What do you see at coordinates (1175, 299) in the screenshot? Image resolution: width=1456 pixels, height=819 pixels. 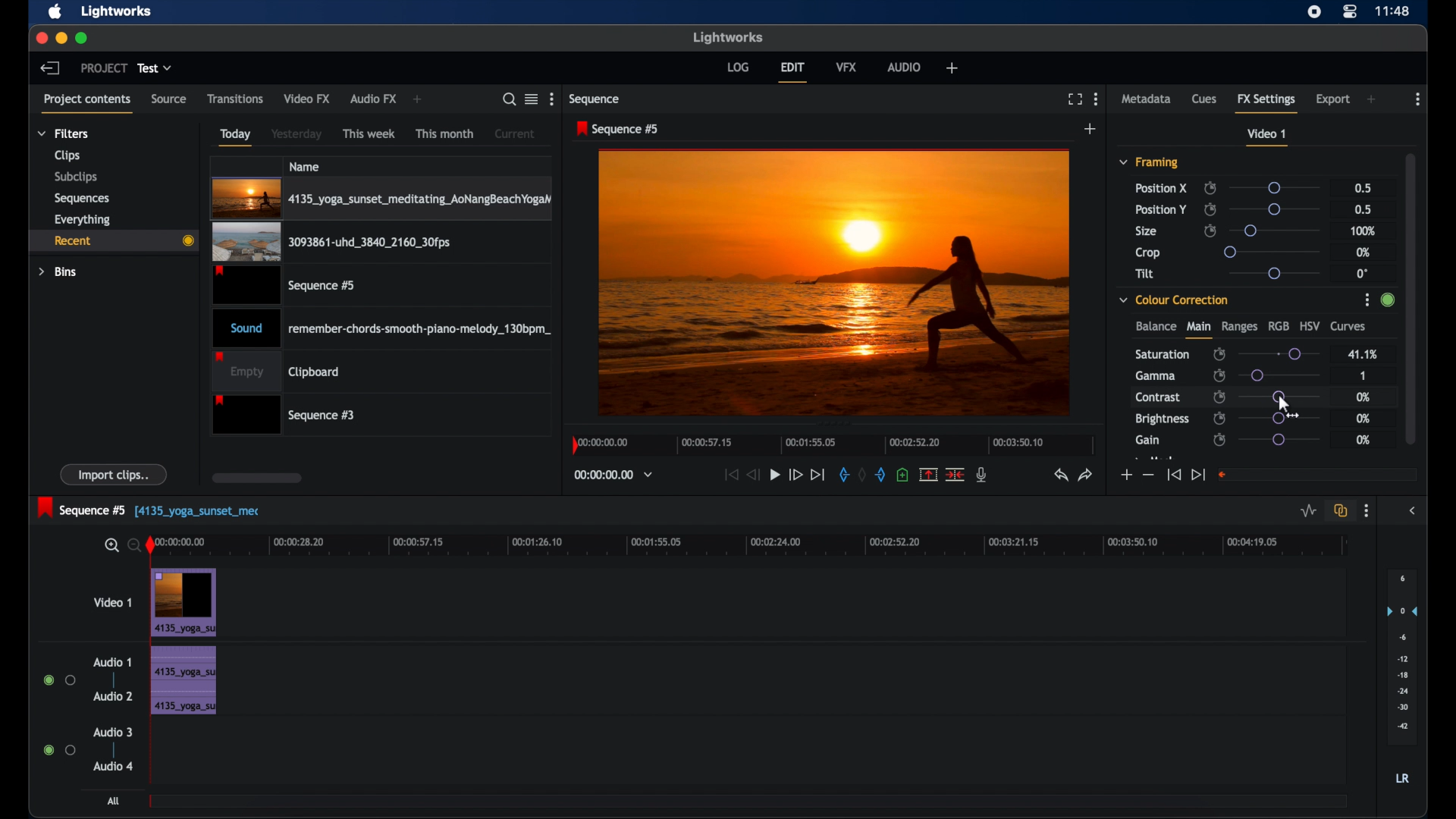 I see `color correction` at bounding box center [1175, 299].